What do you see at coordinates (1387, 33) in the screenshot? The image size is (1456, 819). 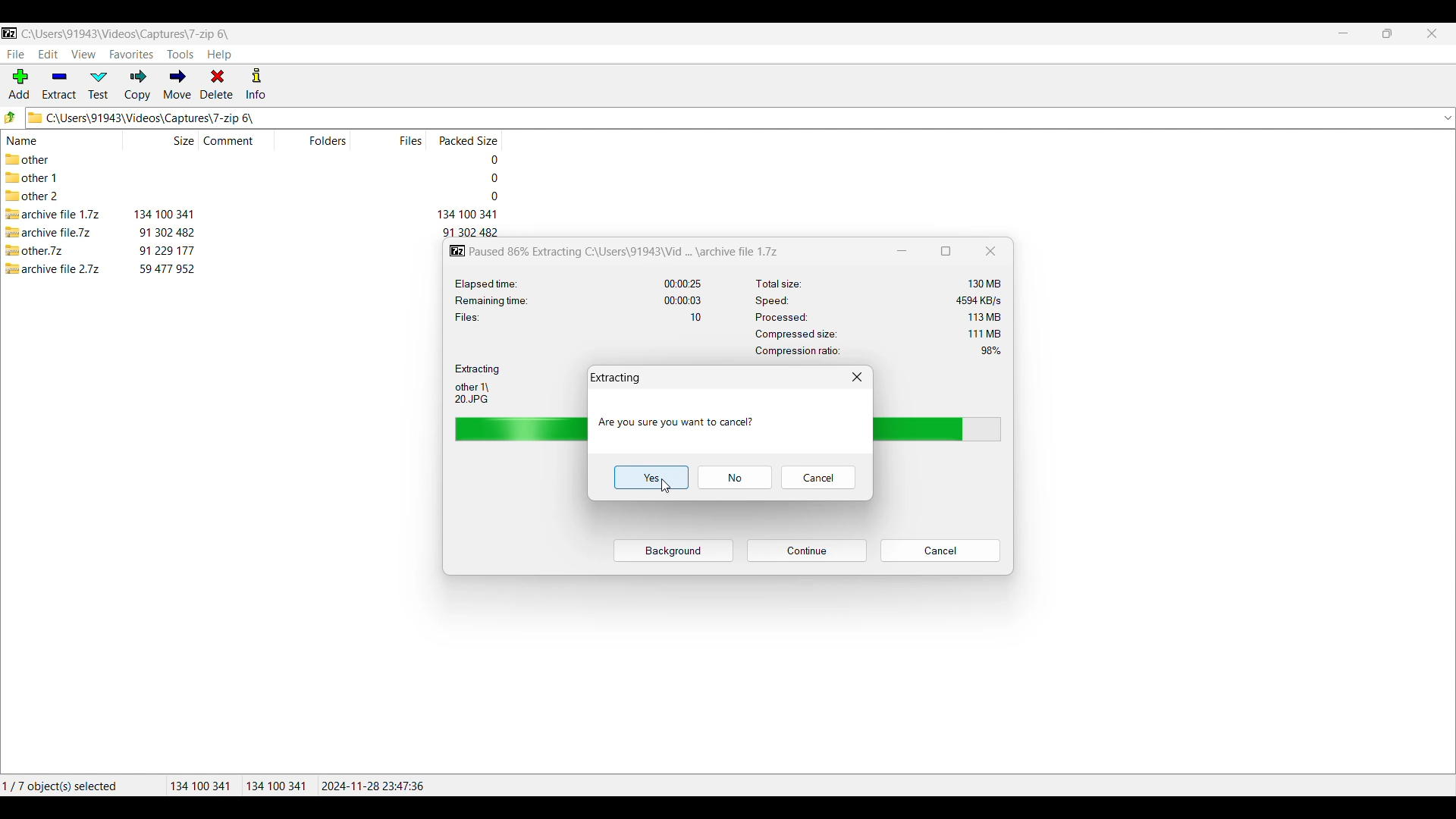 I see `Resize` at bounding box center [1387, 33].